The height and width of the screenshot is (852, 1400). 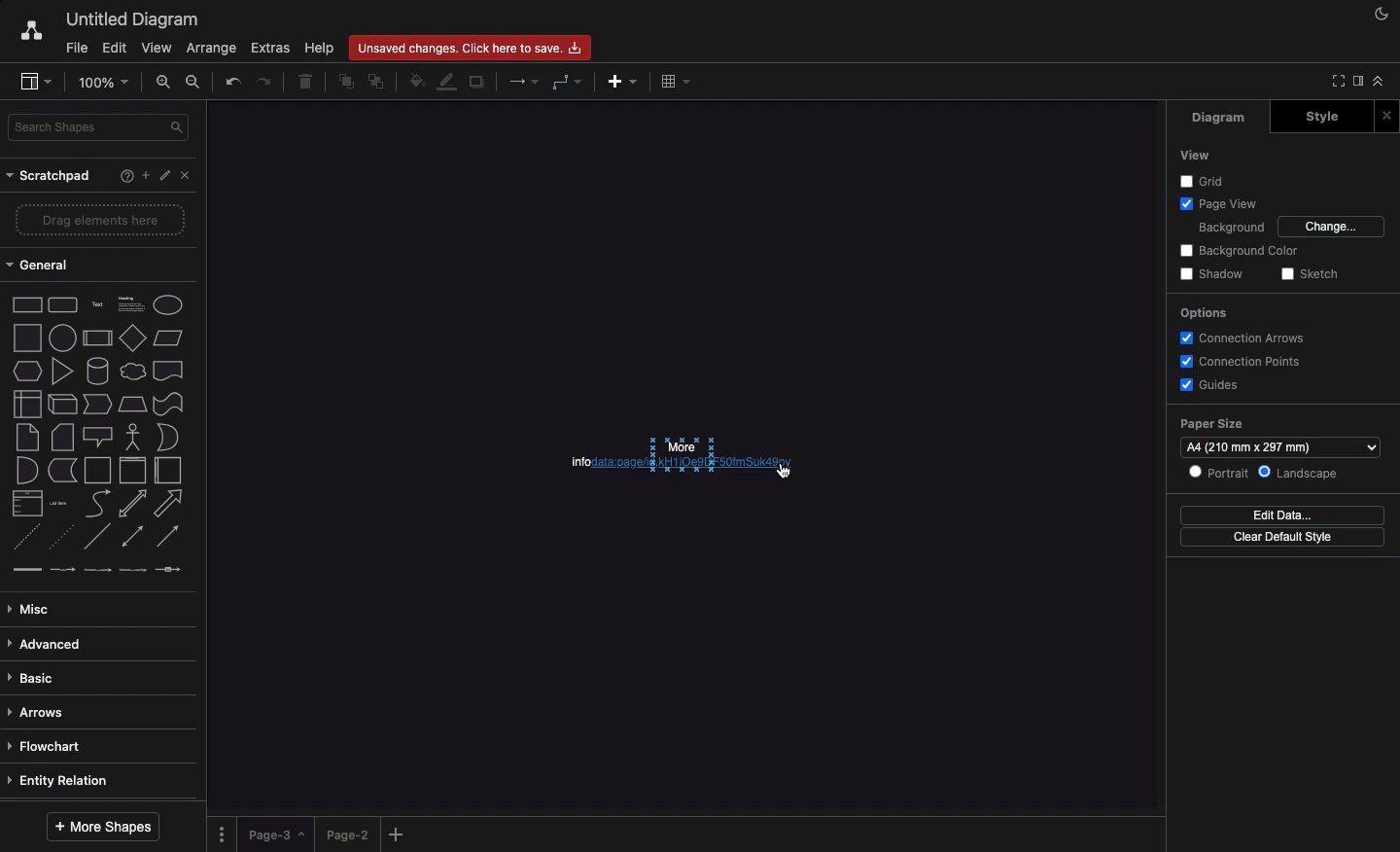 What do you see at coordinates (400, 834) in the screenshot?
I see `Add` at bounding box center [400, 834].